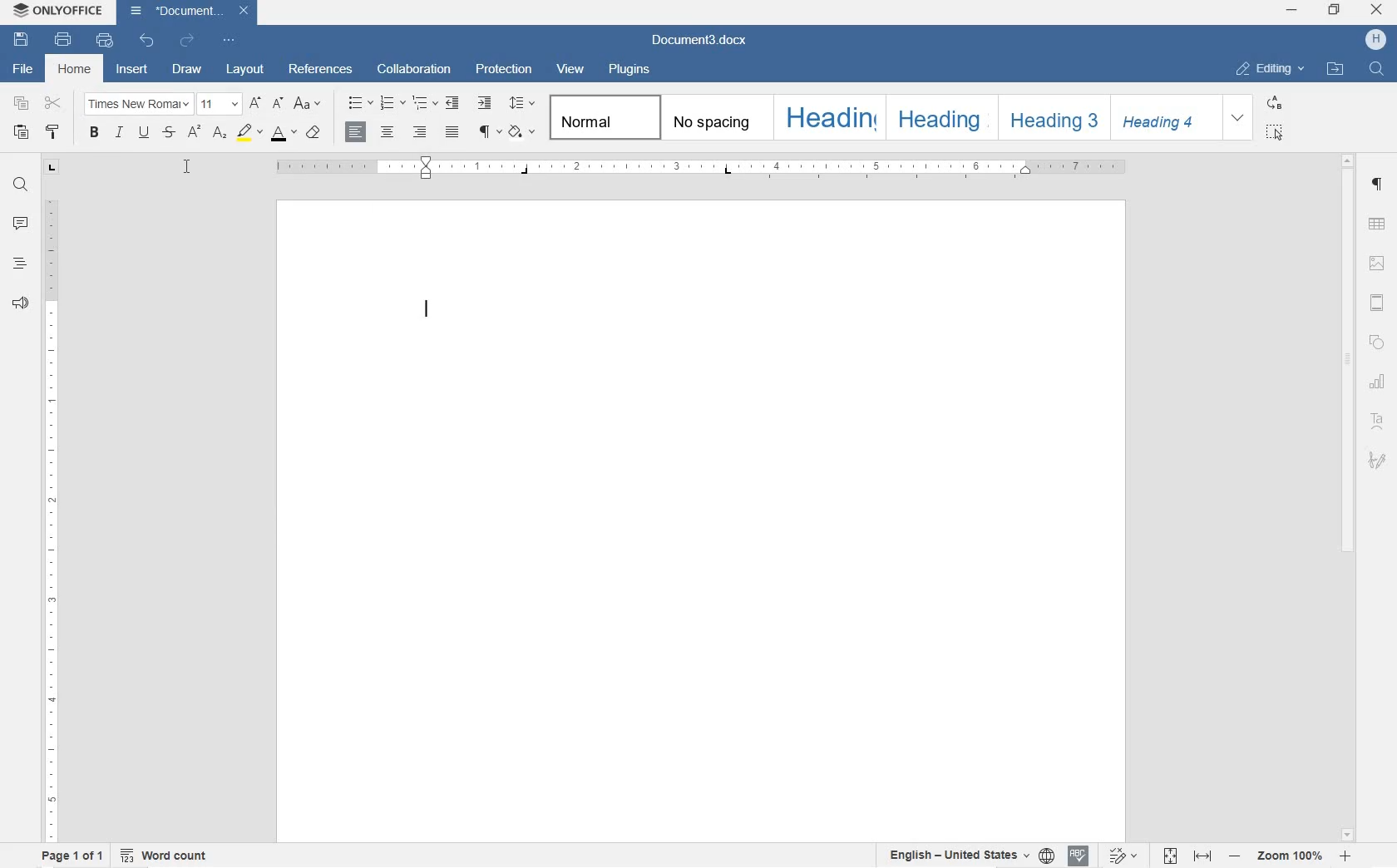  Describe the element at coordinates (1289, 854) in the screenshot. I see `ZOOM IN OR OUT` at that location.